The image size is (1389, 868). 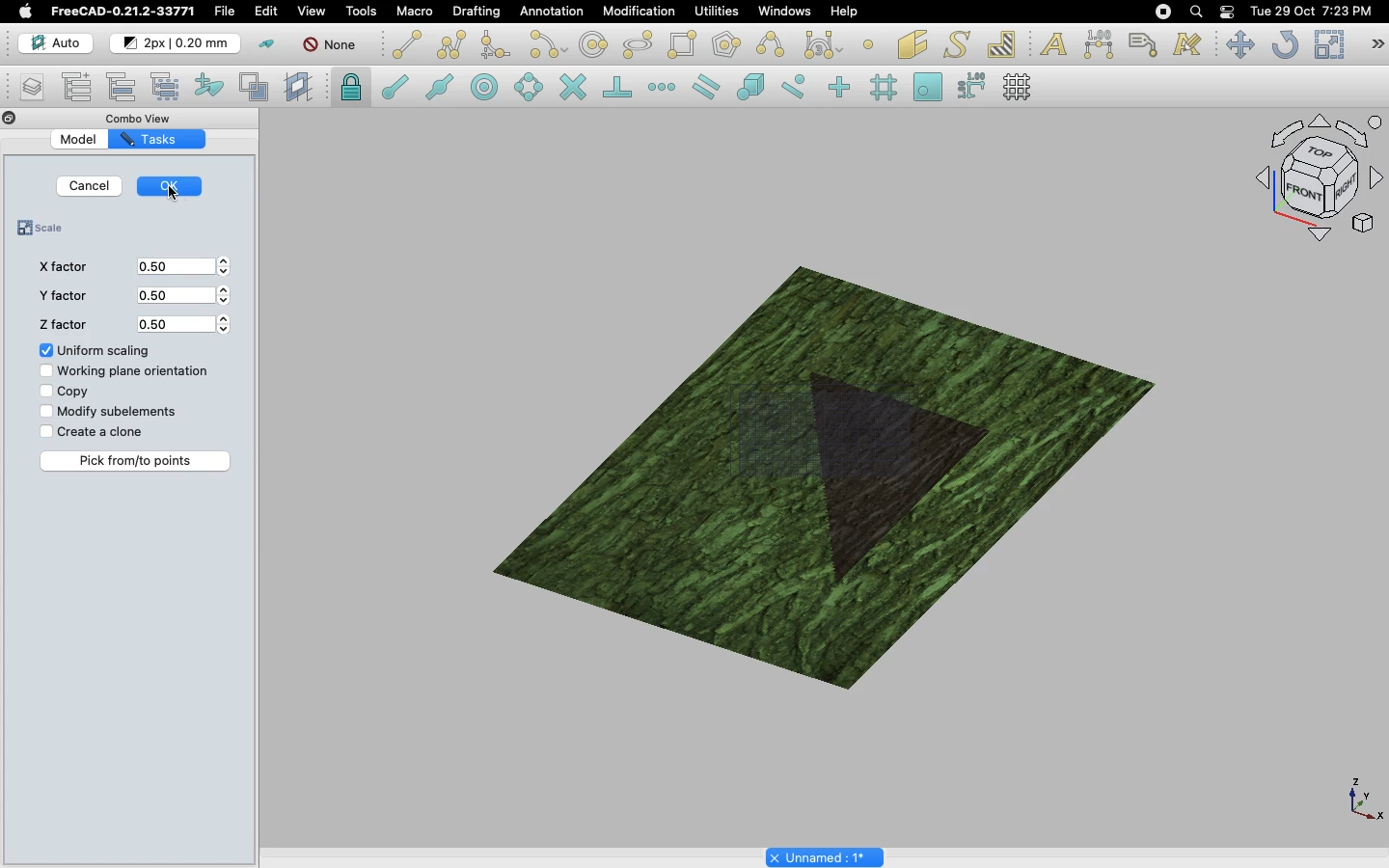 What do you see at coordinates (301, 89) in the screenshot?
I see `Create working plane proxy` at bounding box center [301, 89].